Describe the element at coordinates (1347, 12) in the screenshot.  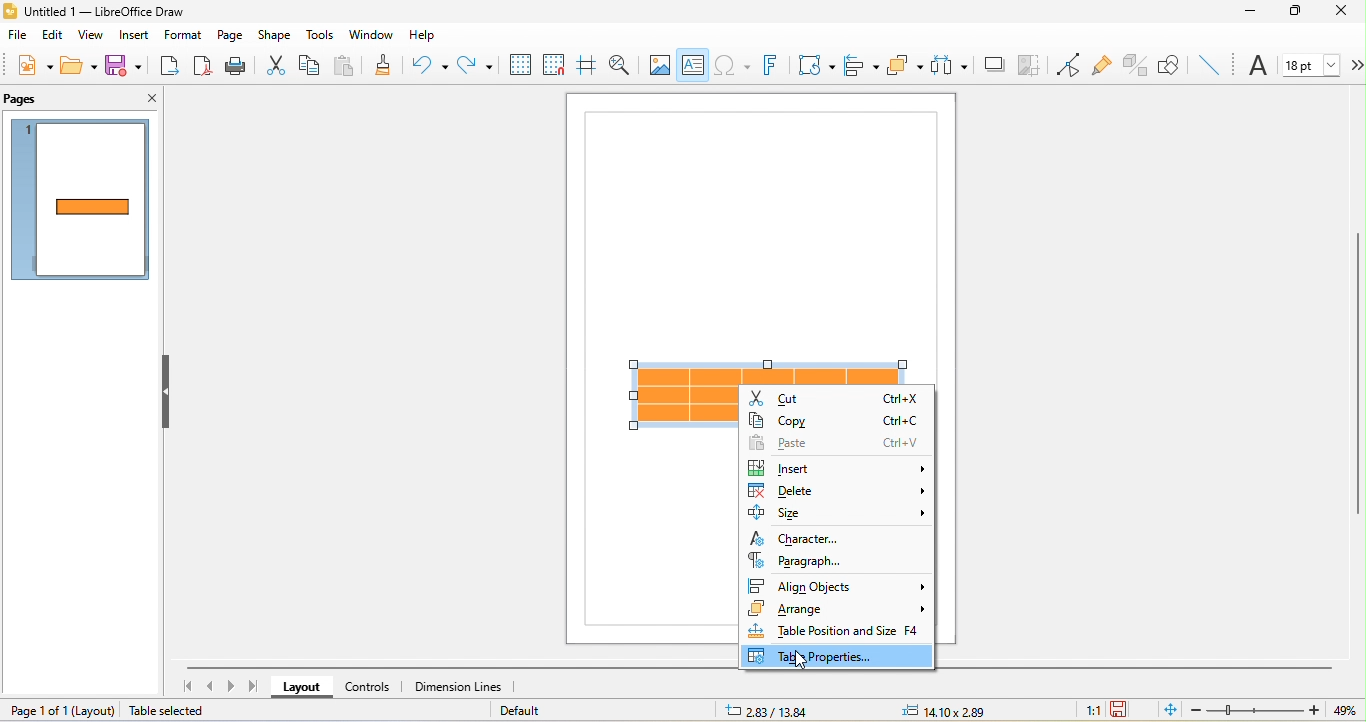
I see `close` at that location.